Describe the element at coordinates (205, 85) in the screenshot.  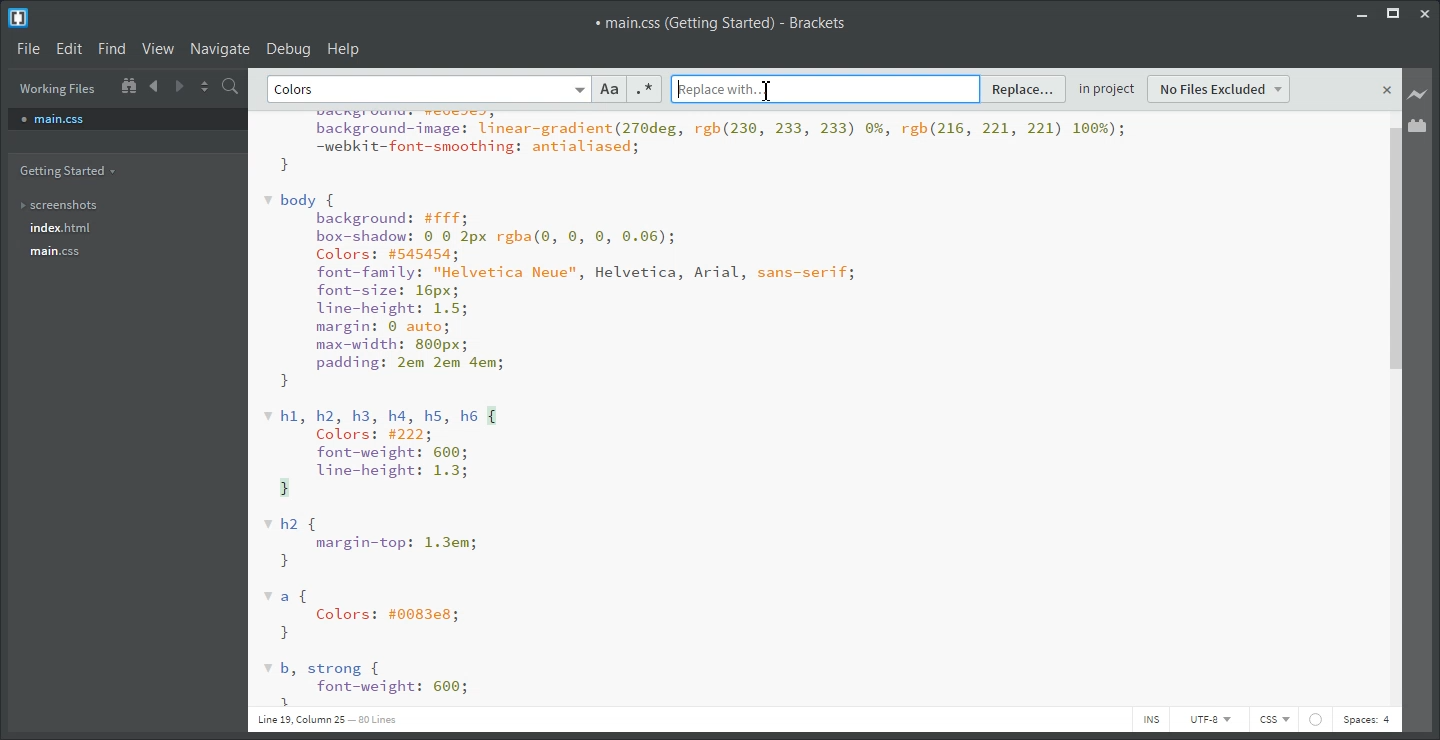
I see `Split the editor vertically and horizontally` at that location.